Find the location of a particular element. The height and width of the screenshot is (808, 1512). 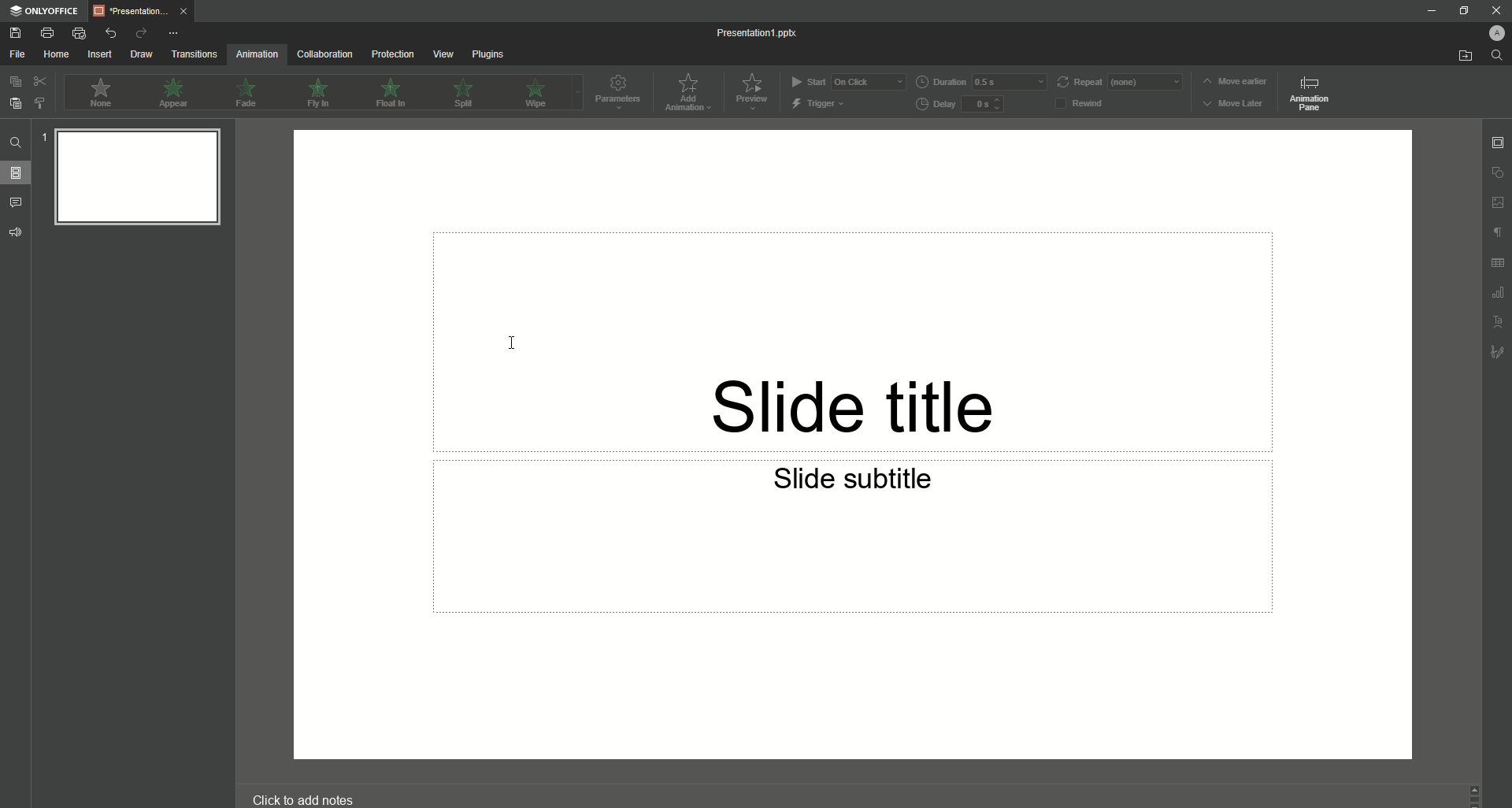

Insert is located at coordinates (96, 54).